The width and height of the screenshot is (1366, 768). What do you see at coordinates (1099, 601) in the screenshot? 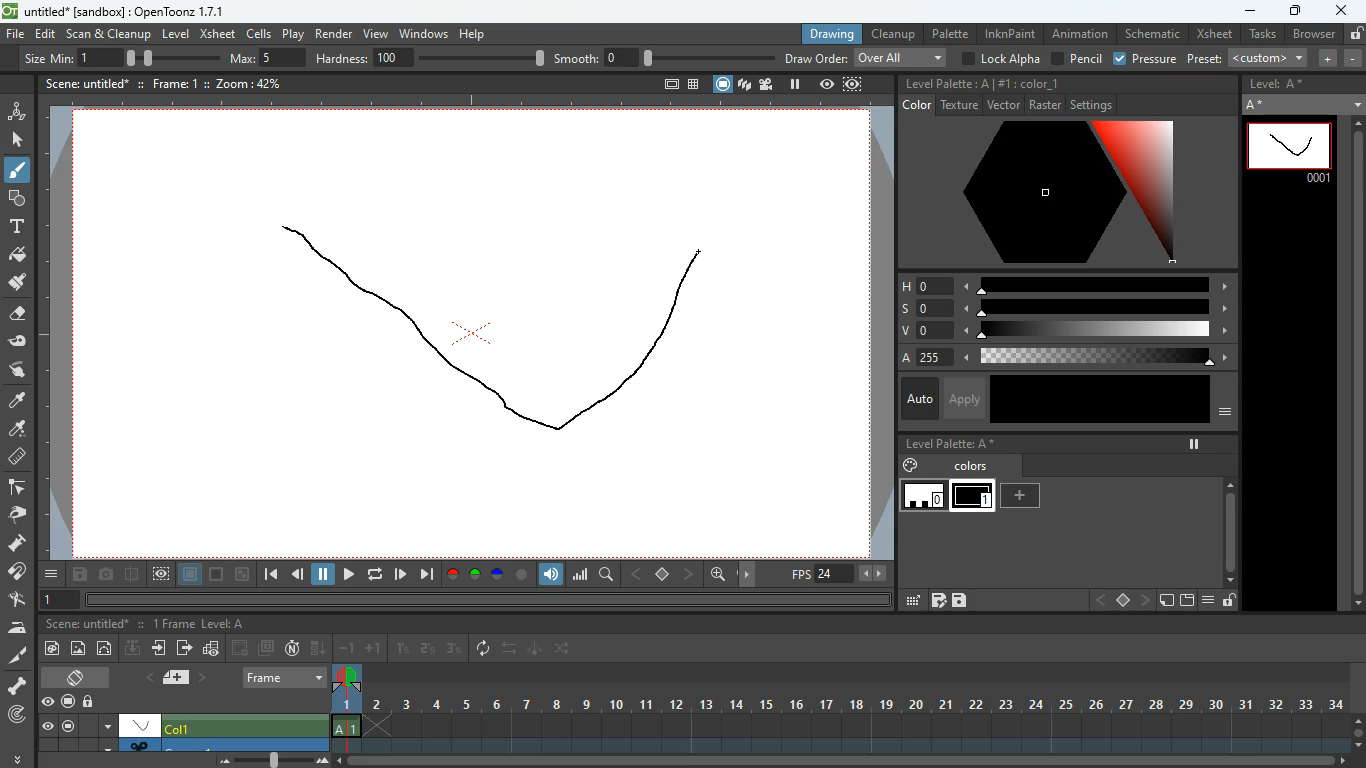
I see `left` at bounding box center [1099, 601].